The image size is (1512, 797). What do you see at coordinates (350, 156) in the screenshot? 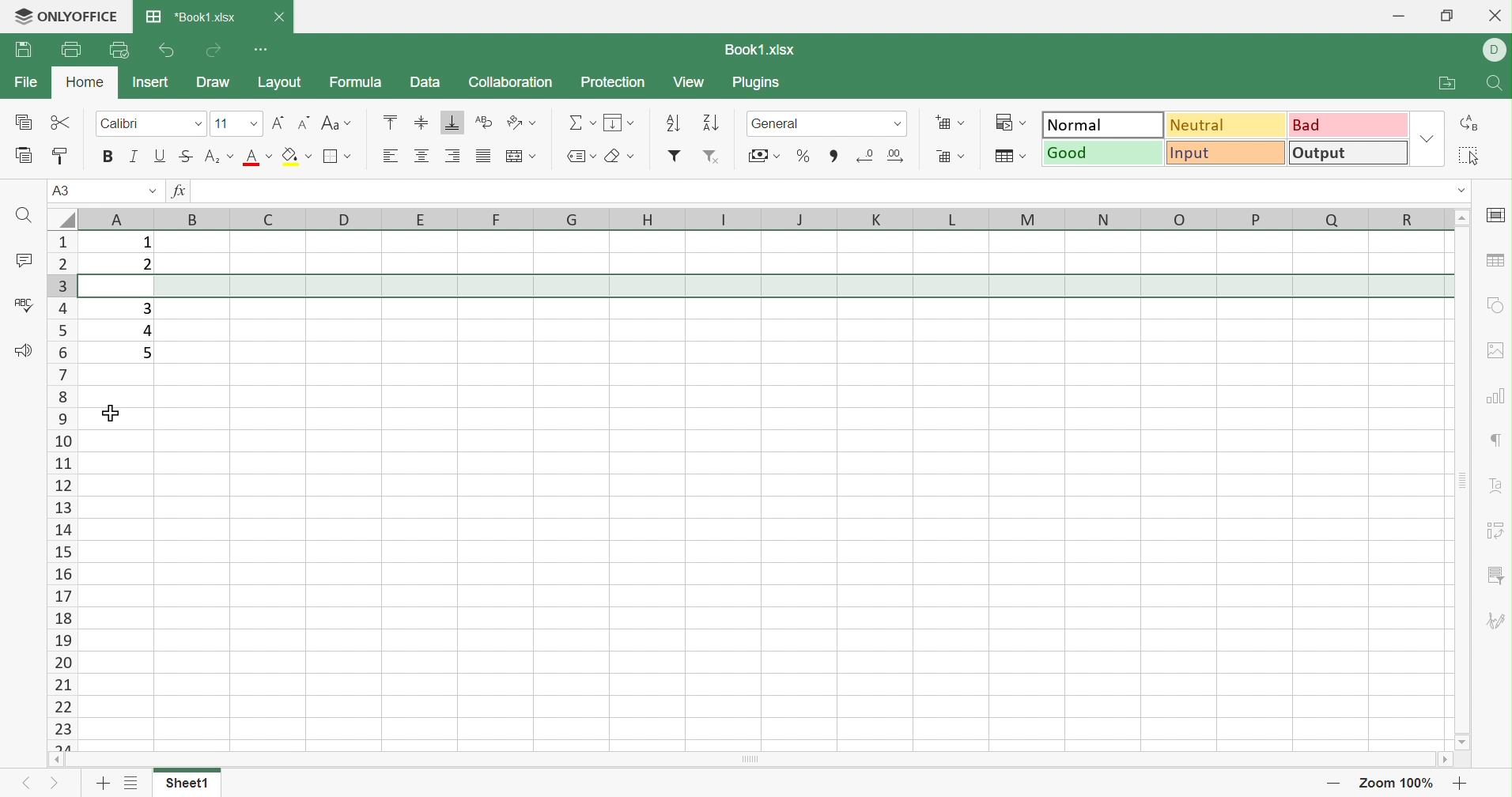
I see `Drop Down` at bounding box center [350, 156].